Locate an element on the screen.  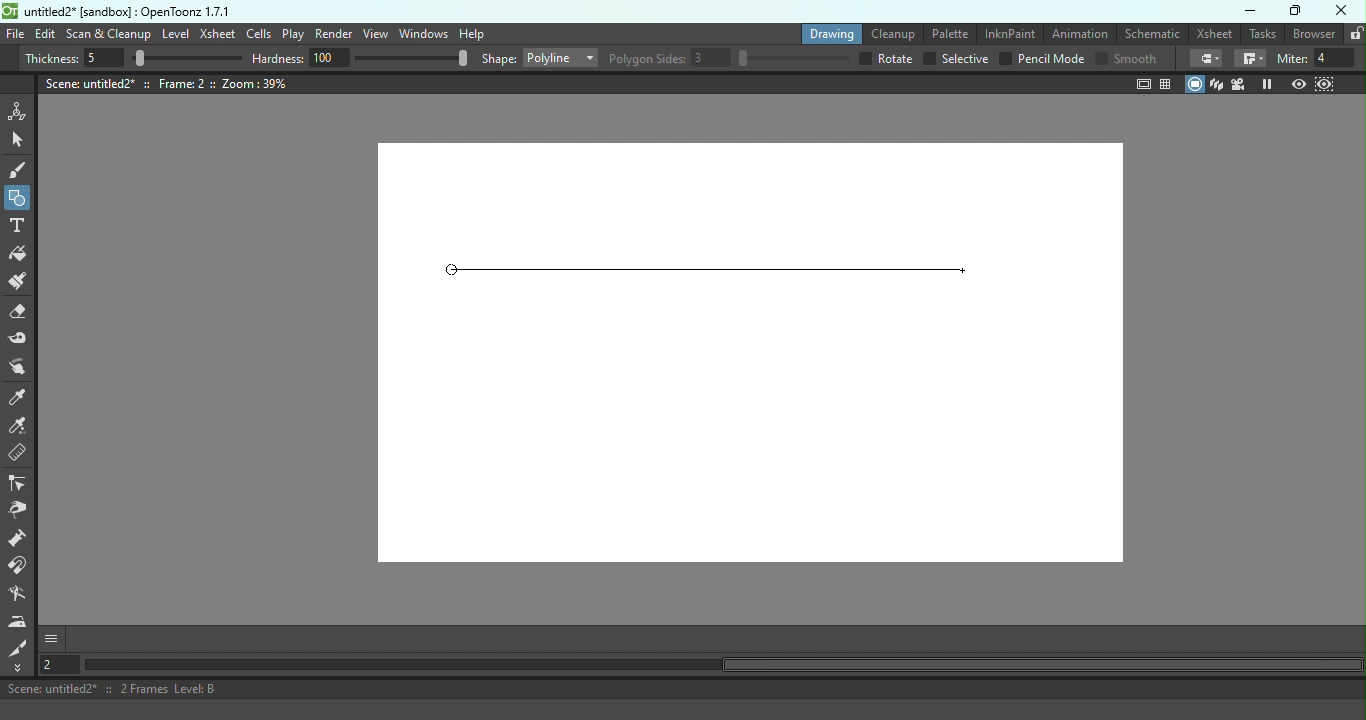
Animation is located at coordinates (1078, 34).